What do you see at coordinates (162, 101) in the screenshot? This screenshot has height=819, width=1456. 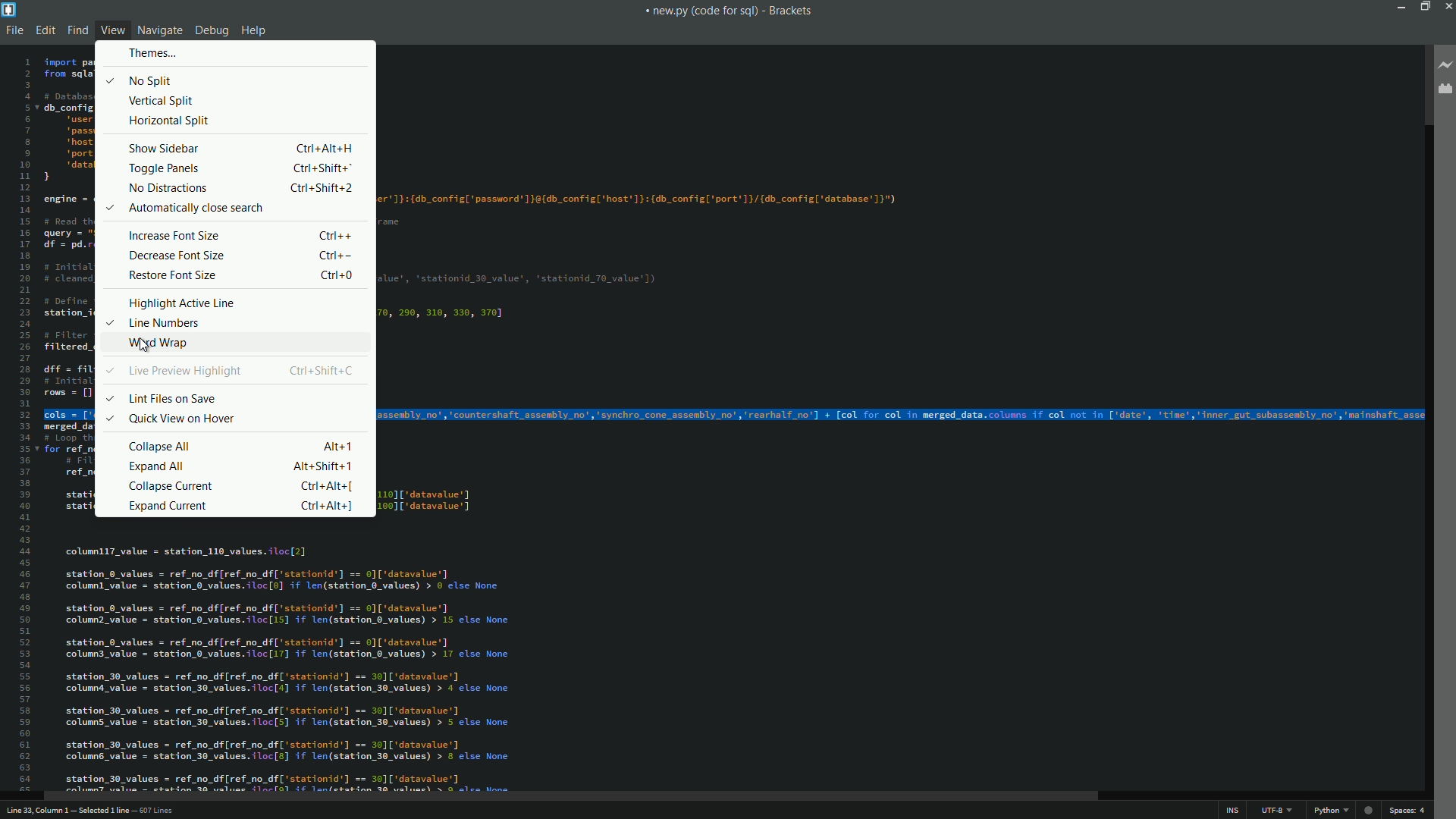 I see `vertical split` at bounding box center [162, 101].